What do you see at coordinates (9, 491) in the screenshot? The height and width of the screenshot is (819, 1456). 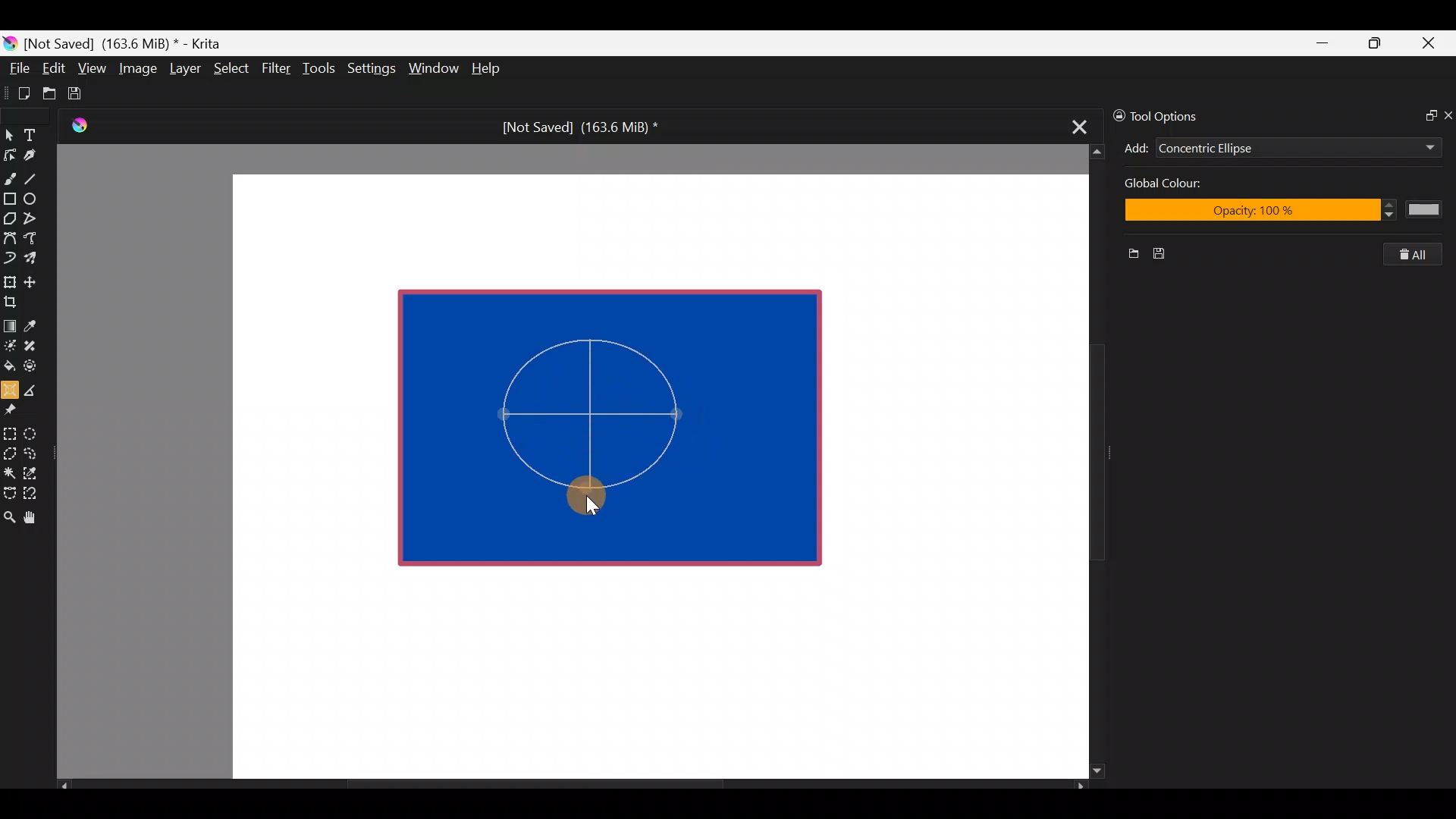 I see `Bezier curve selection tool` at bounding box center [9, 491].